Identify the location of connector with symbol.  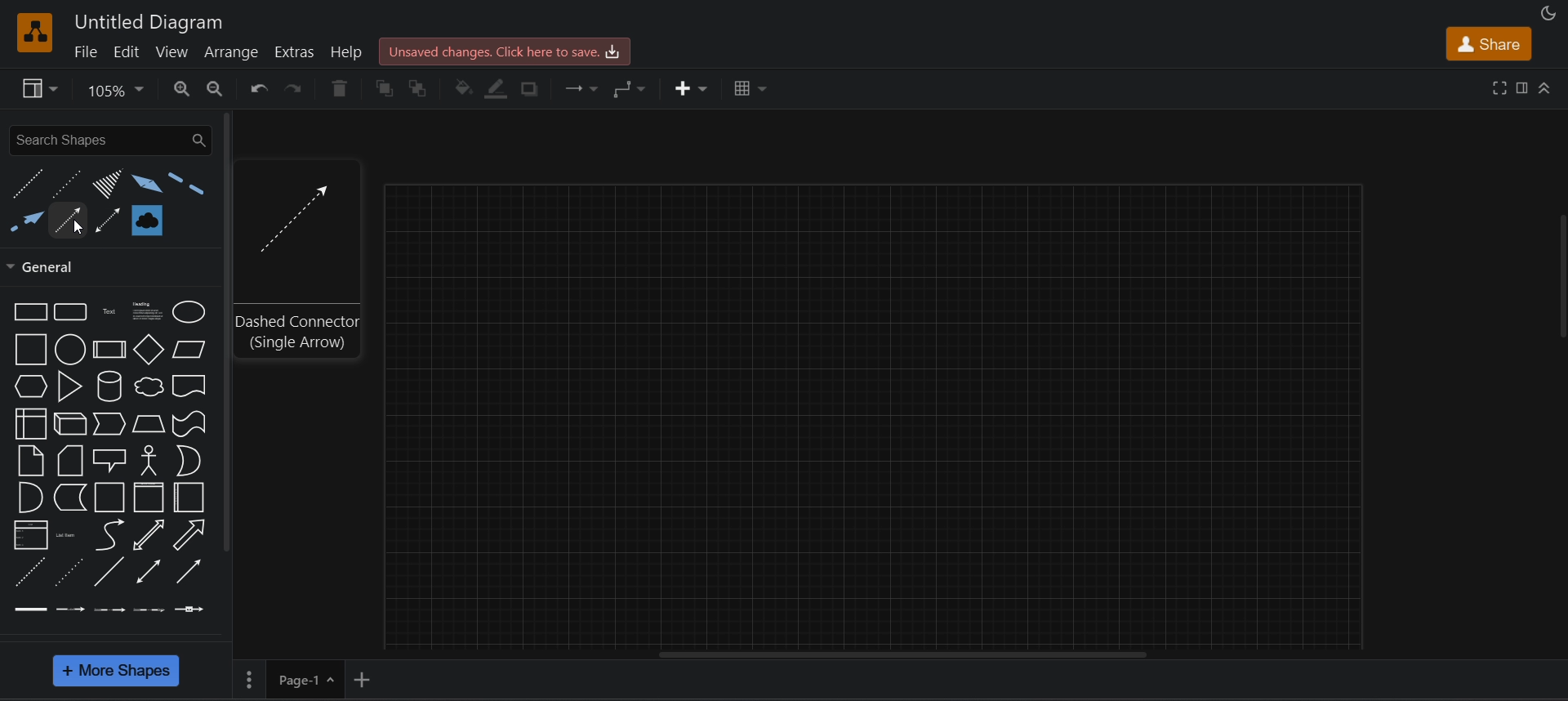
(191, 608).